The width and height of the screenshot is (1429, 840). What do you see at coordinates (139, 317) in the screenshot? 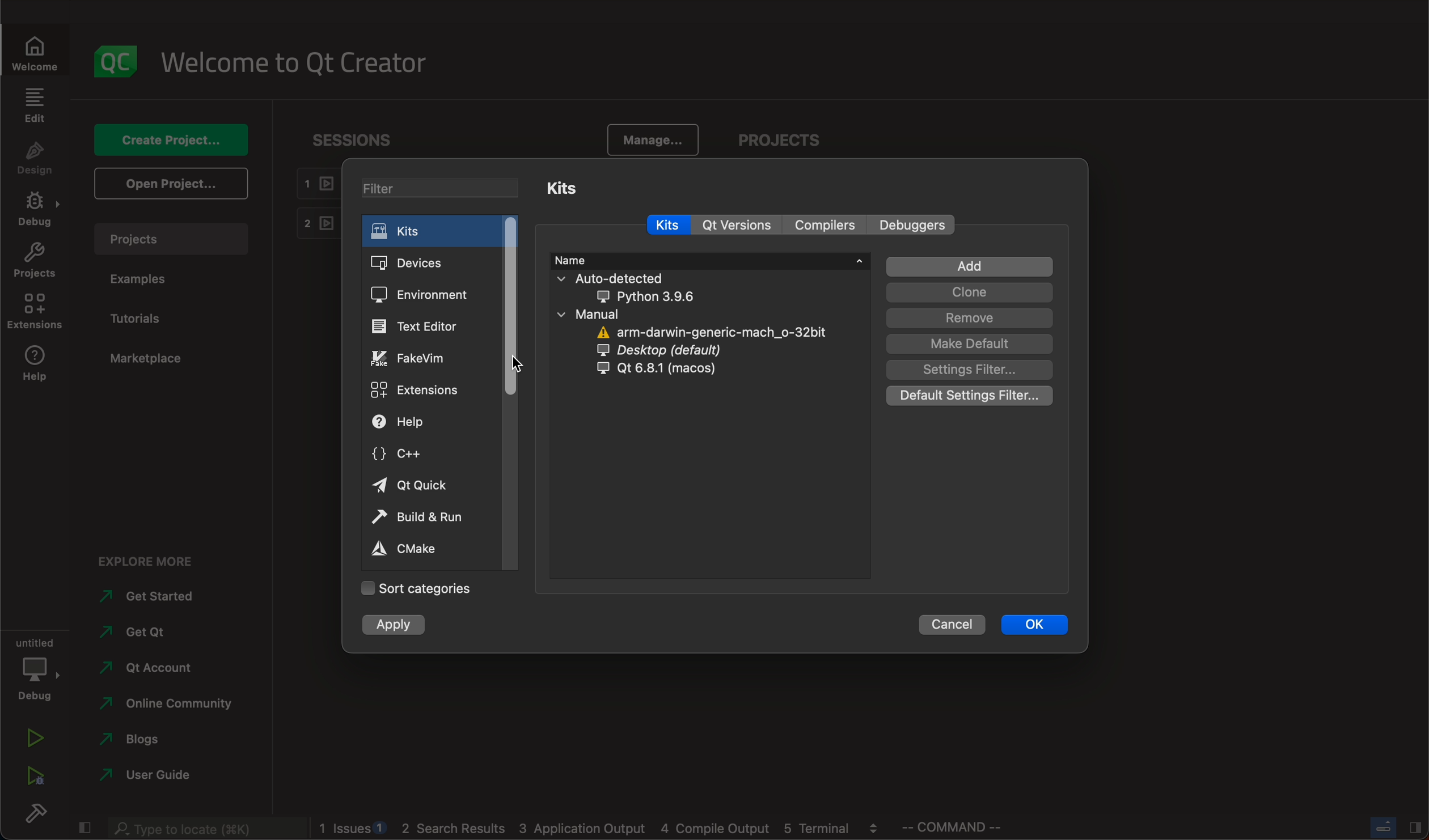
I see `tutorials` at bounding box center [139, 317].